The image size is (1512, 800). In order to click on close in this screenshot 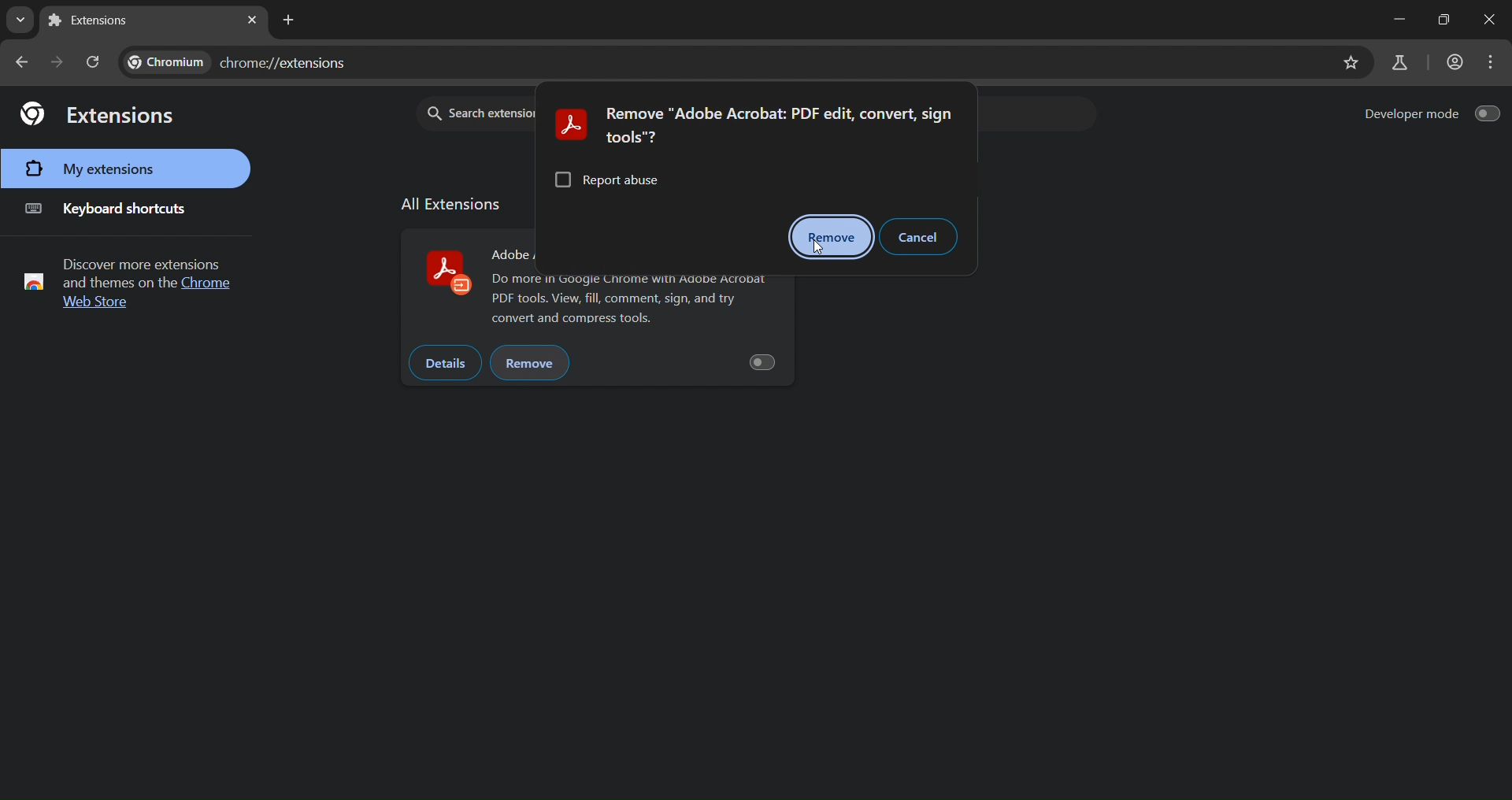, I will do `click(1495, 14)`.